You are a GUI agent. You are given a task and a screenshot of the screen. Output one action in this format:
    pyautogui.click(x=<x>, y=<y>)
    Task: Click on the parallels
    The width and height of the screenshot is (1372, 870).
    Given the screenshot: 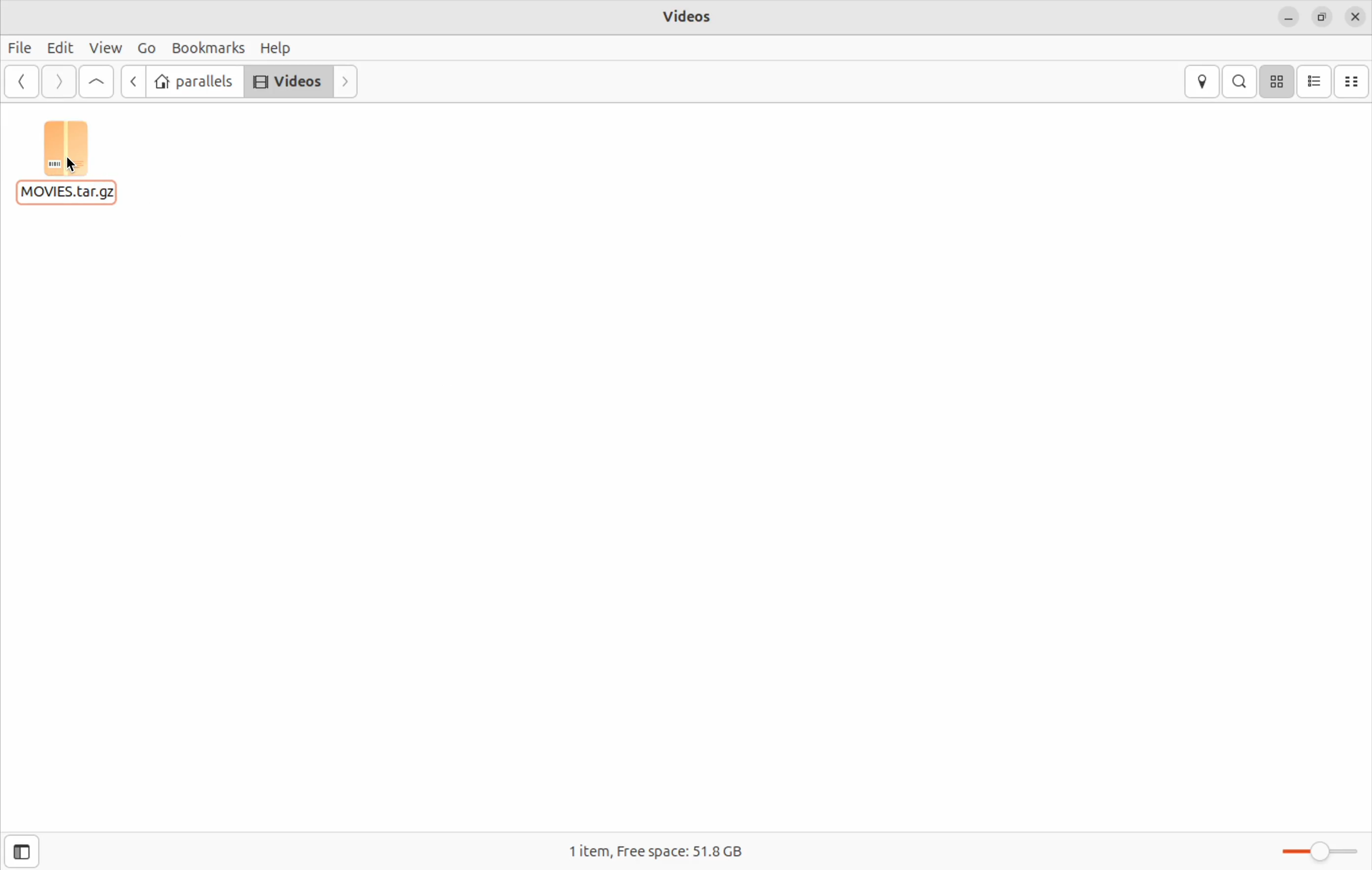 What is the action you would take?
    pyautogui.click(x=194, y=83)
    